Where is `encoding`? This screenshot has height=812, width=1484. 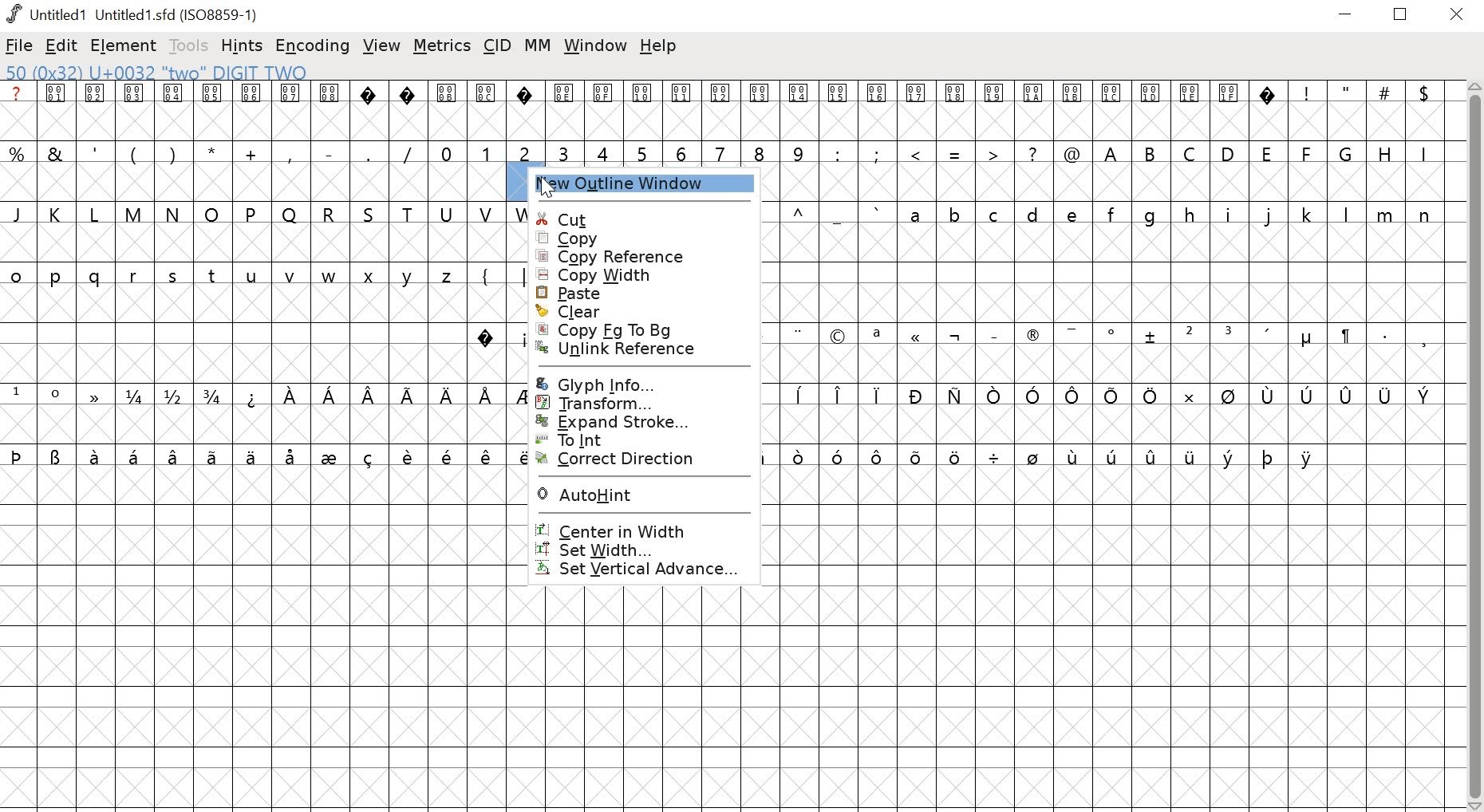 encoding is located at coordinates (314, 45).